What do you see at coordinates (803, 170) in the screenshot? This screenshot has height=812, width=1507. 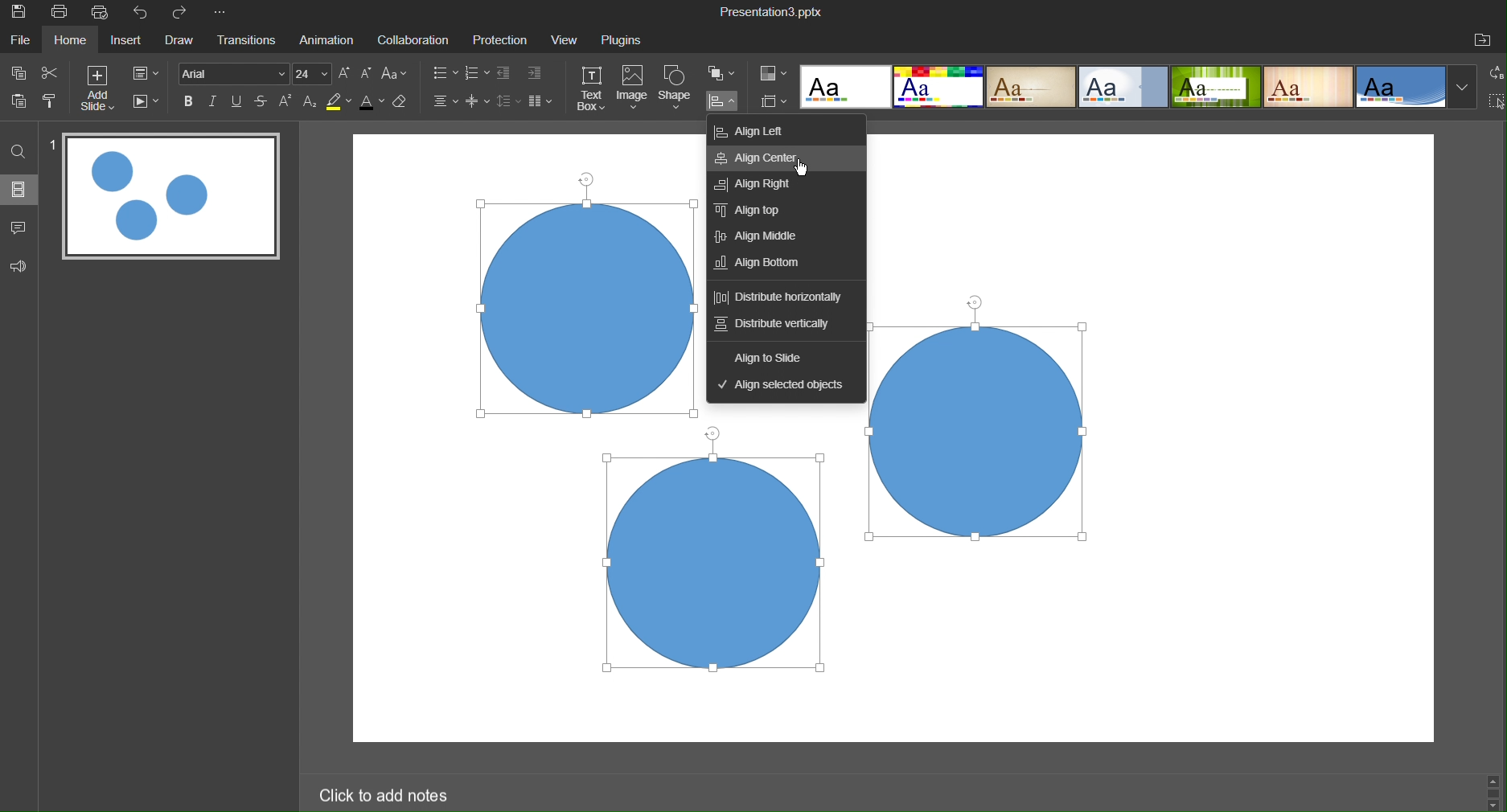 I see `cursor` at bounding box center [803, 170].